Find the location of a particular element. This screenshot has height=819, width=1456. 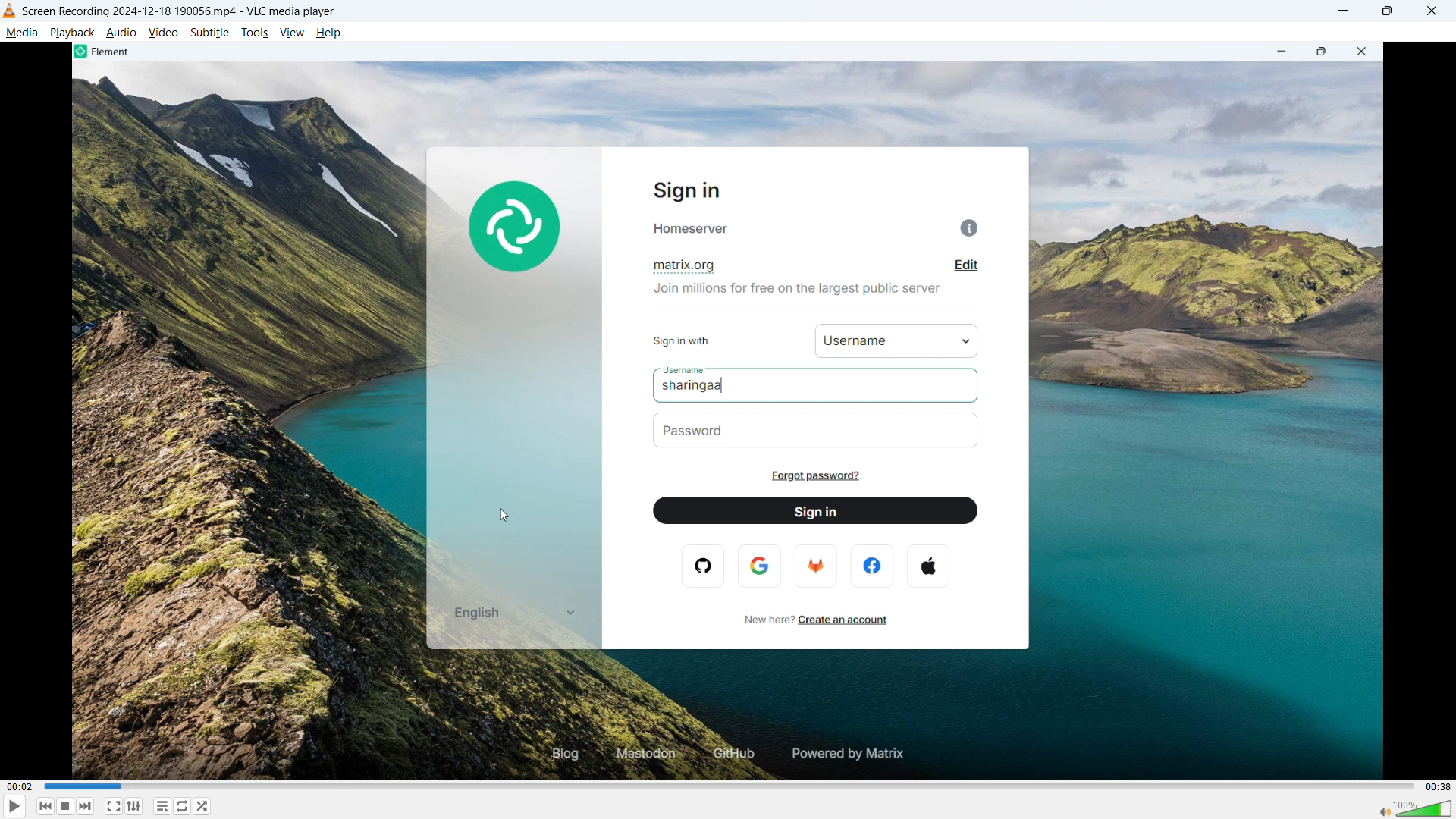

Logo  is located at coordinates (10, 11).